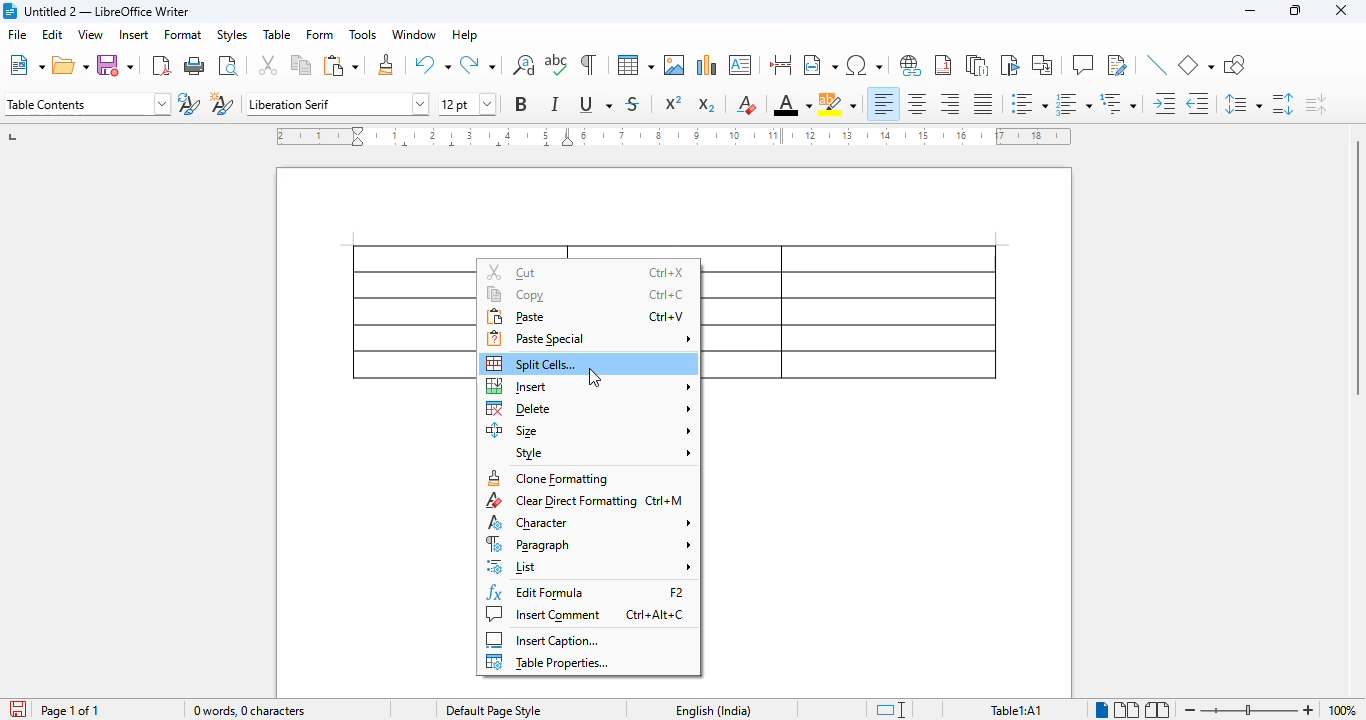  I want to click on vertical scroll bar, so click(1354, 267).